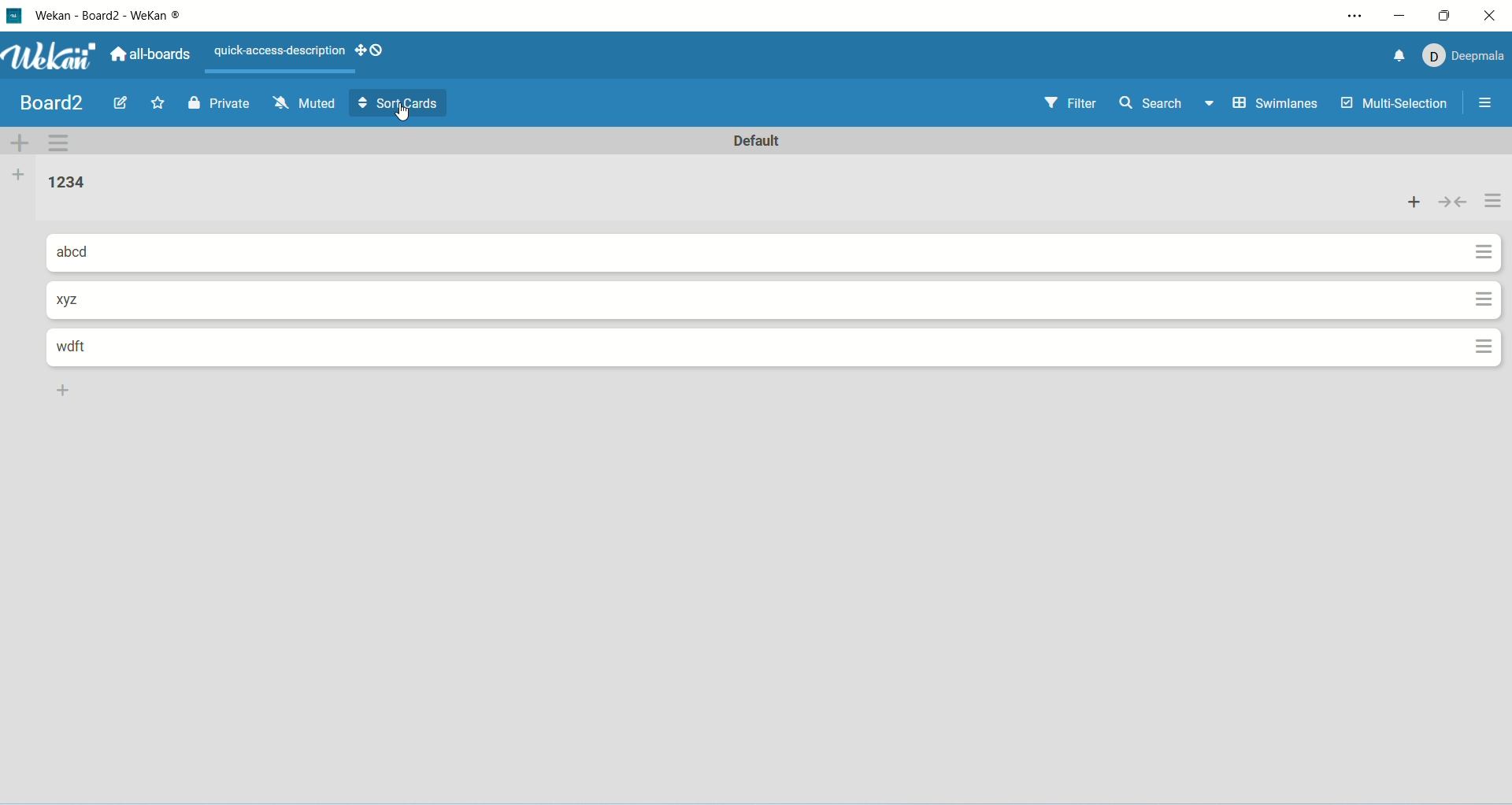 This screenshot has width=1512, height=805. What do you see at coordinates (1414, 203) in the screenshot?
I see `add` at bounding box center [1414, 203].